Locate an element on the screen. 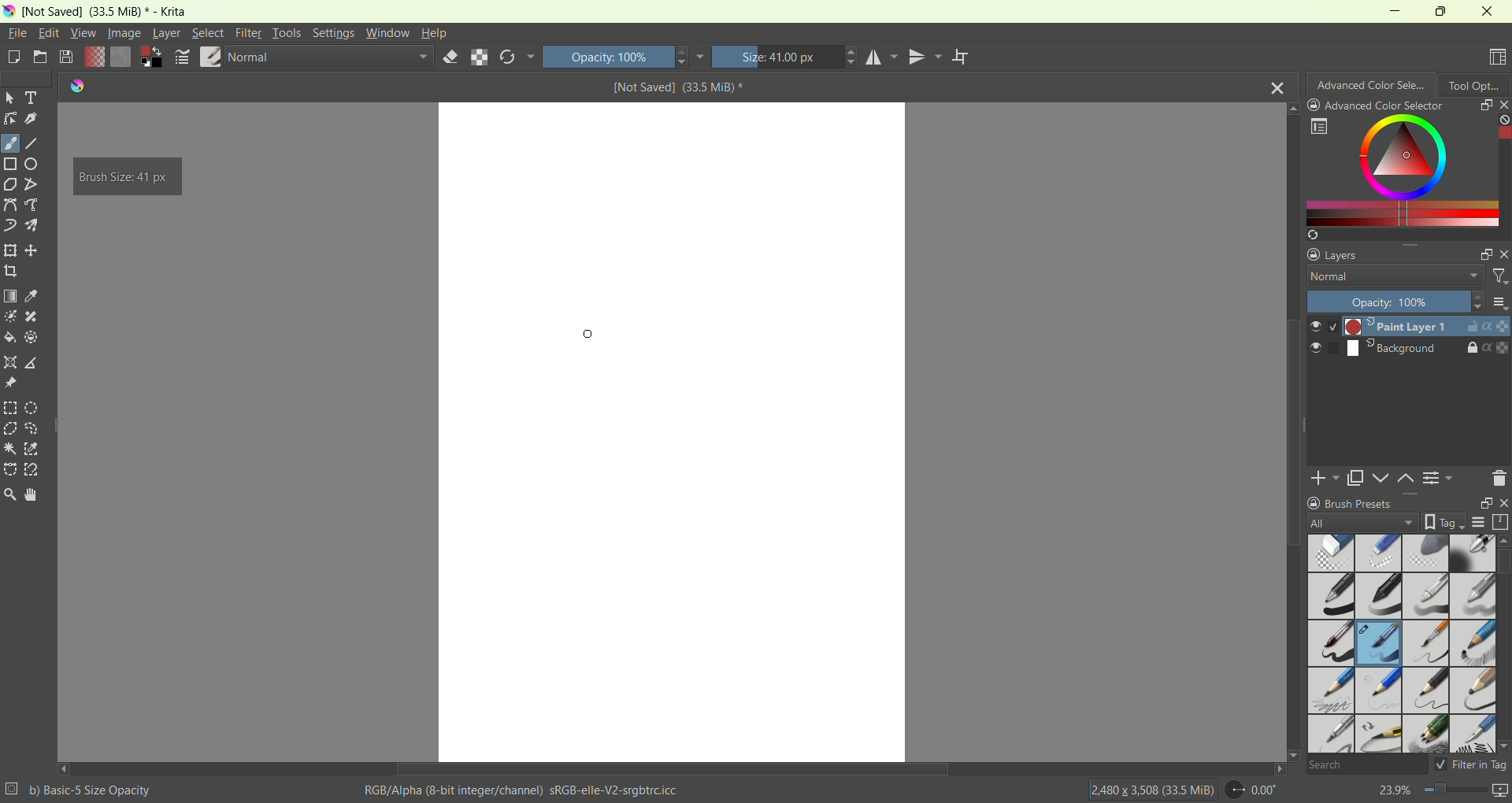 The width and height of the screenshot is (1512, 803). fill pattern is located at coordinates (121, 58).